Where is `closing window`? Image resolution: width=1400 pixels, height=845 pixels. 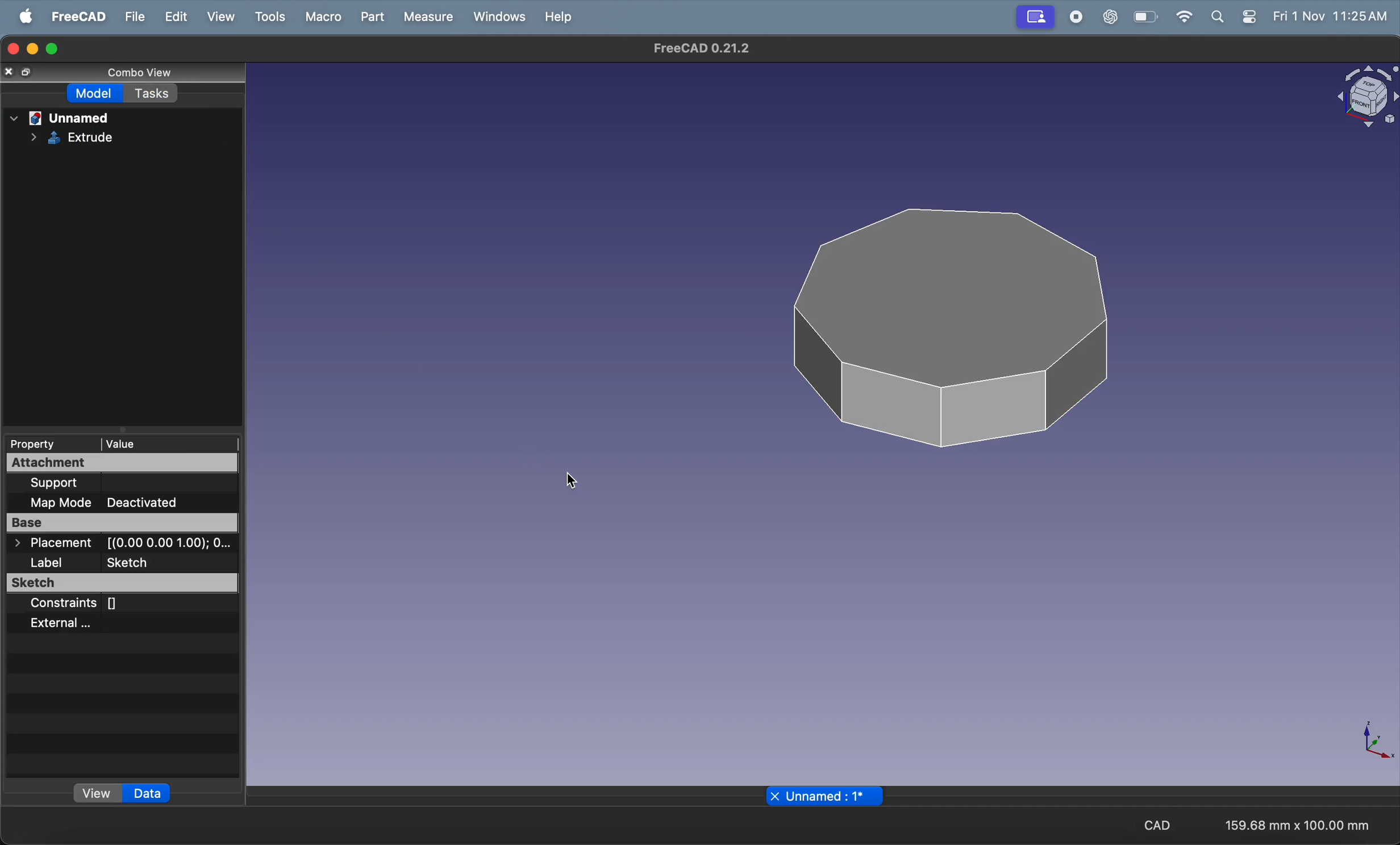
closing window is located at coordinates (13, 49).